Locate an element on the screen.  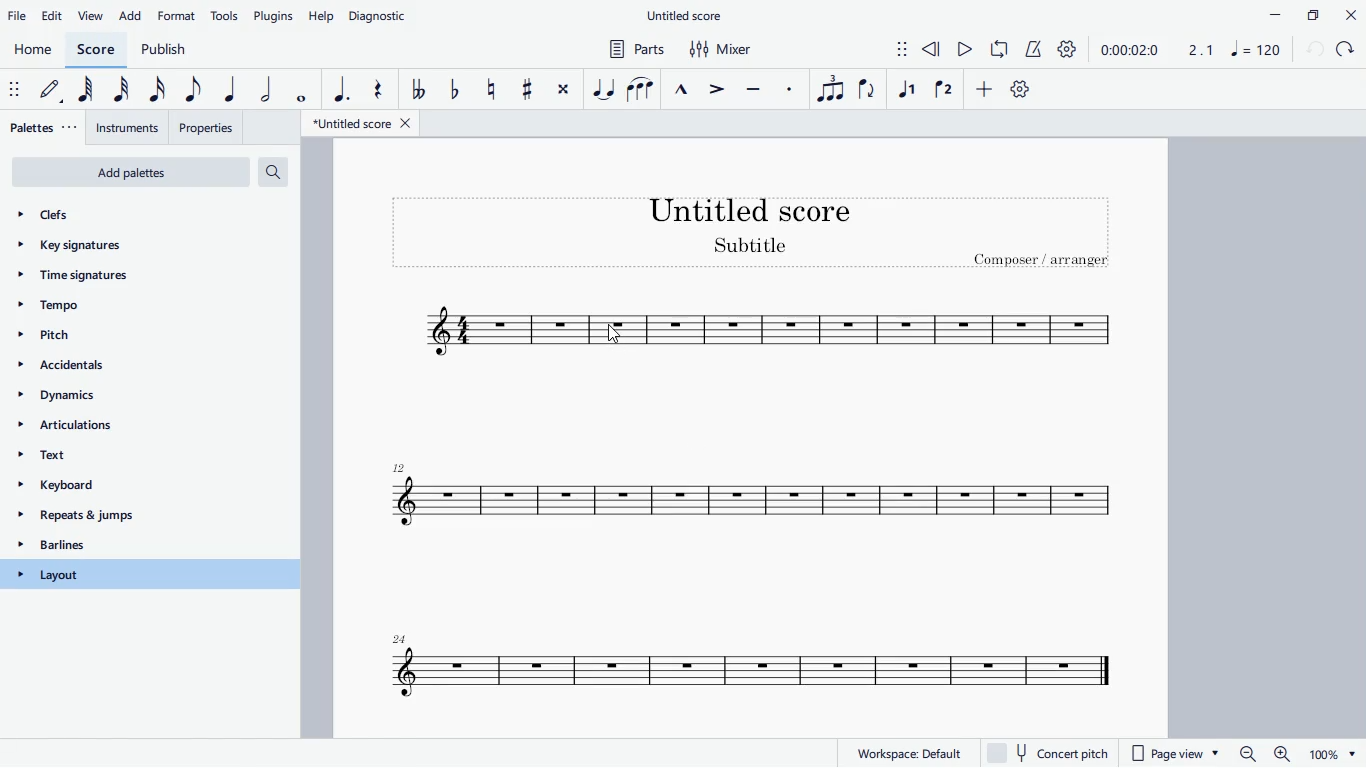
score is located at coordinates (735, 668).